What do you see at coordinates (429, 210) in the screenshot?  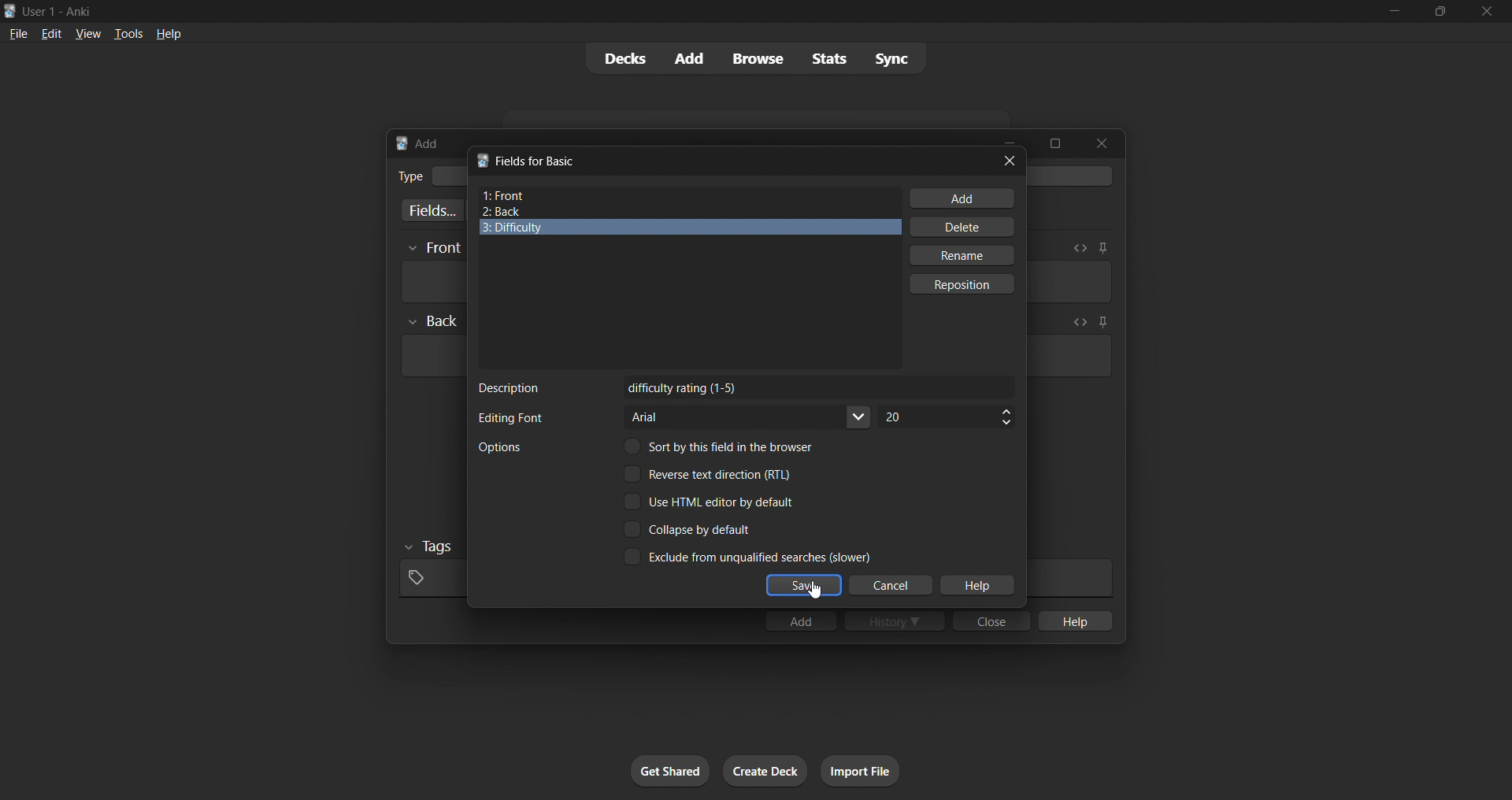 I see `customize fields` at bounding box center [429, 210].